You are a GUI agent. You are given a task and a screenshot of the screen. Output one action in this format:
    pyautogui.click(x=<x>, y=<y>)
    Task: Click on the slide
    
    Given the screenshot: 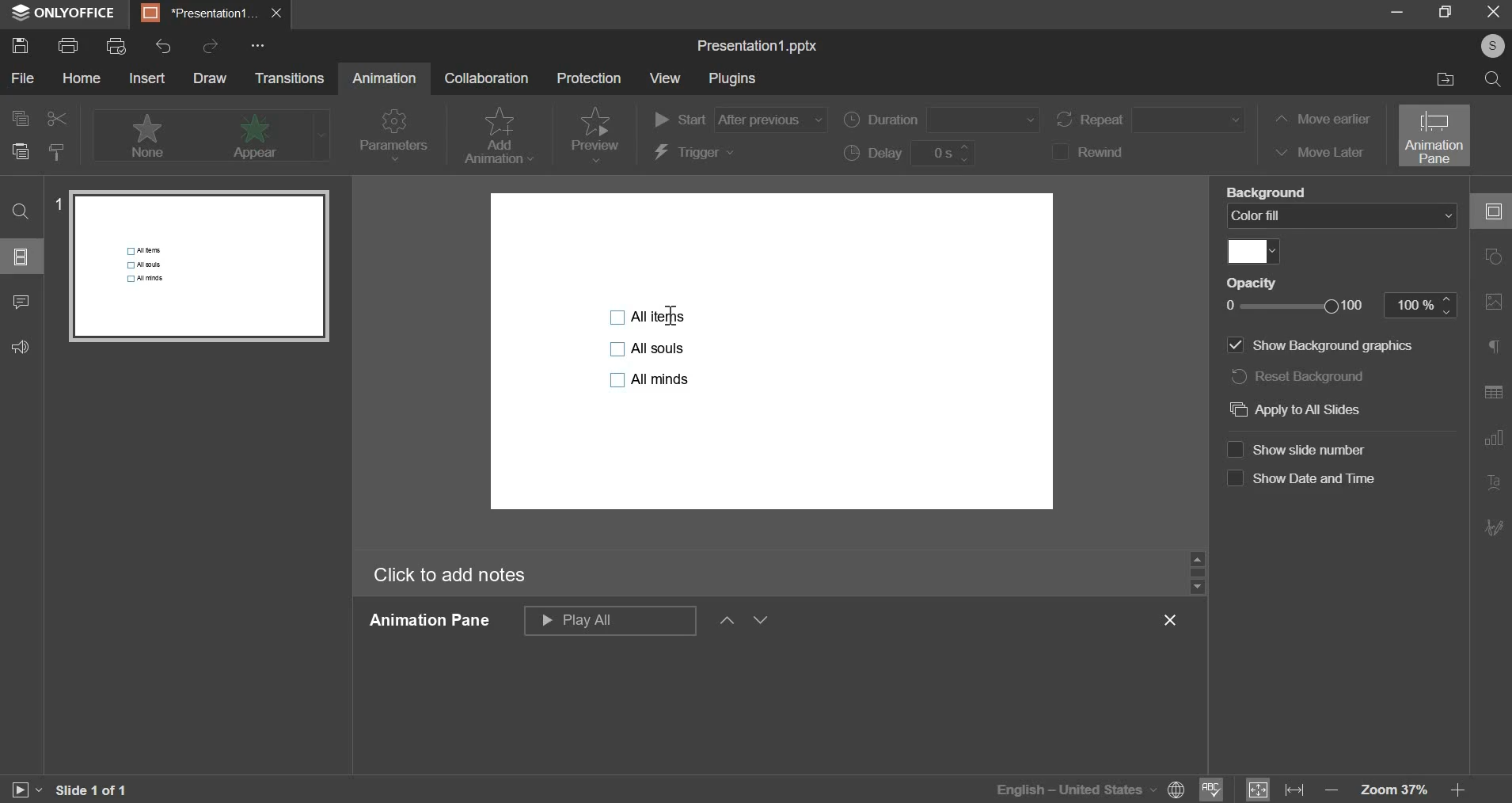 What is the action you would take?
    pyautogui.click(x=23, y=257)
    